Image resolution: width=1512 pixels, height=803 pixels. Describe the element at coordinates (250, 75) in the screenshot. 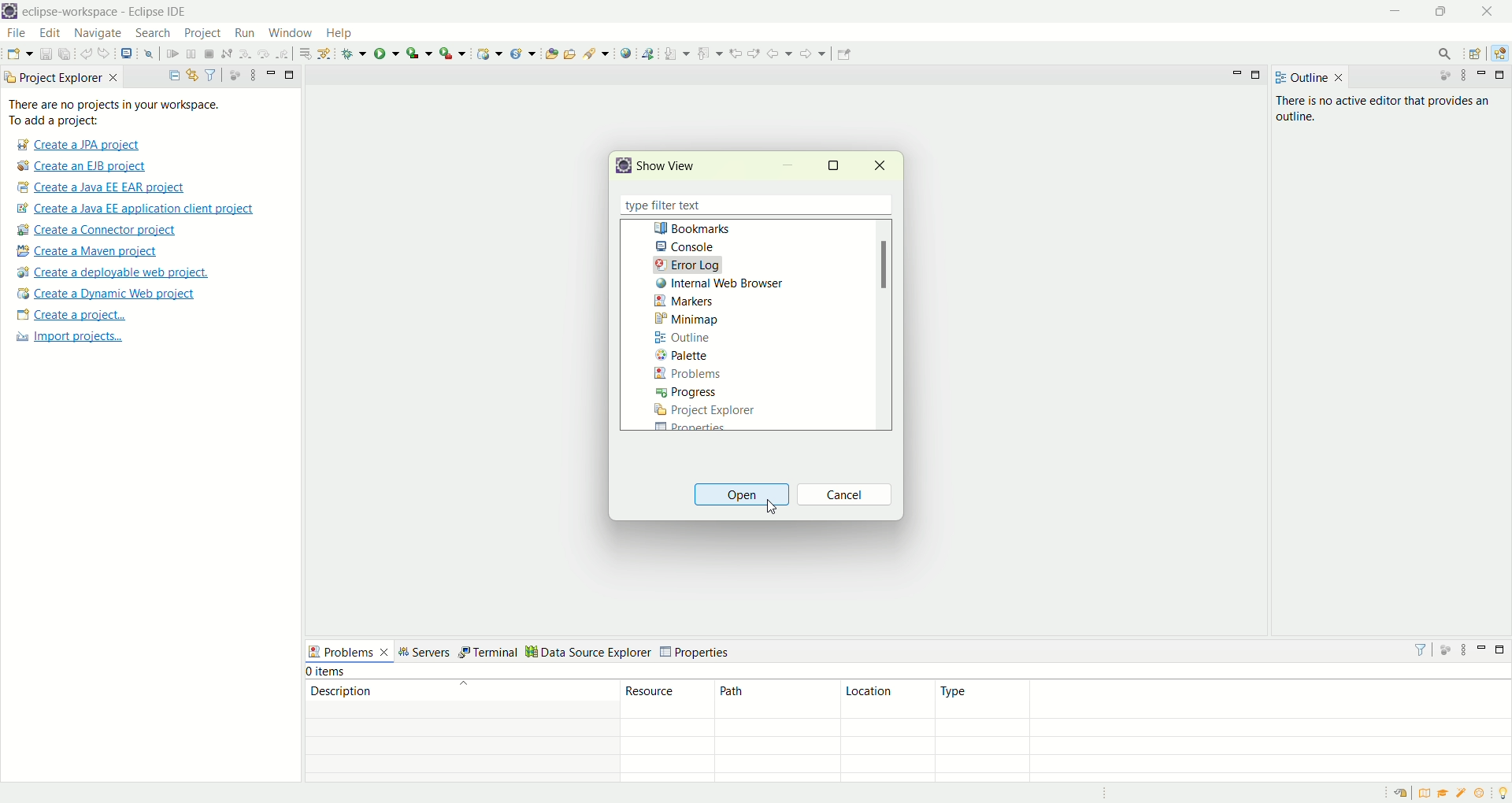

I see `view menu` at that location.